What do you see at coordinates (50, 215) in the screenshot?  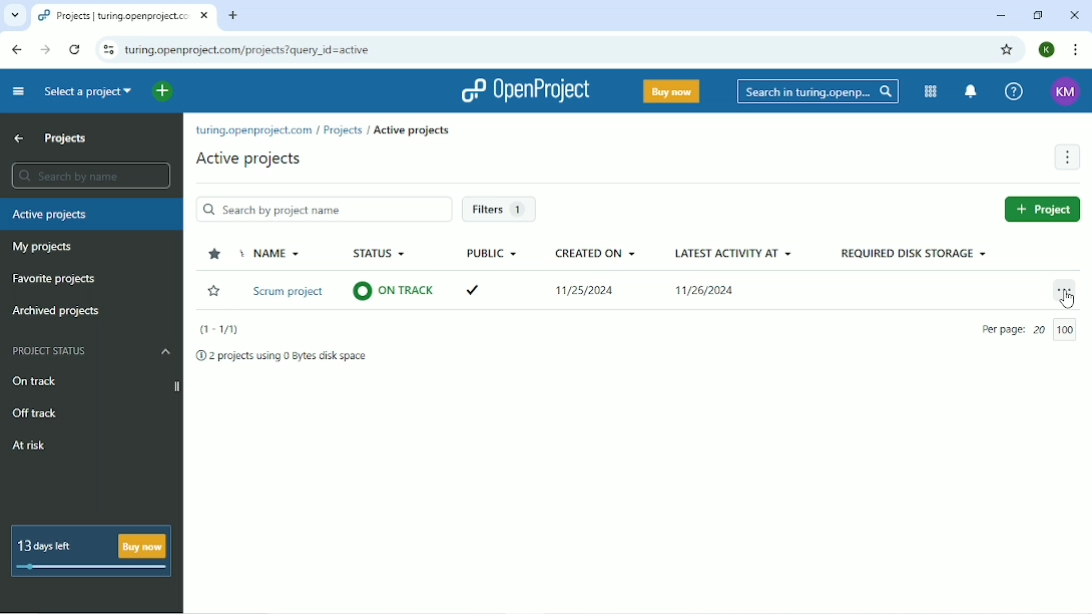 I see `Active projects` at bounding box center [50, 215].